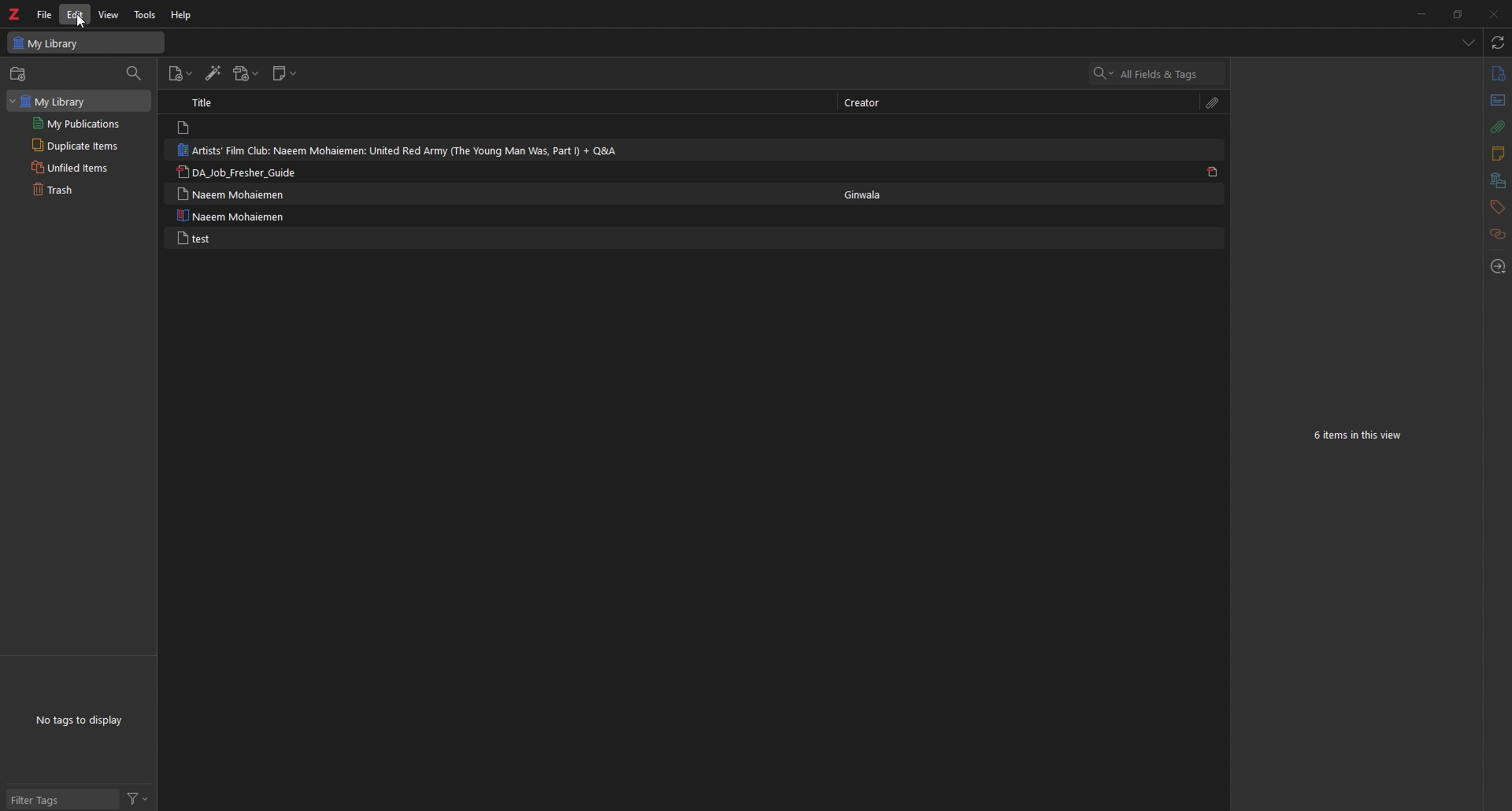 The width and height of the screenshot is (1512, 811). I want to click on No tags to display, so click(81, 719).